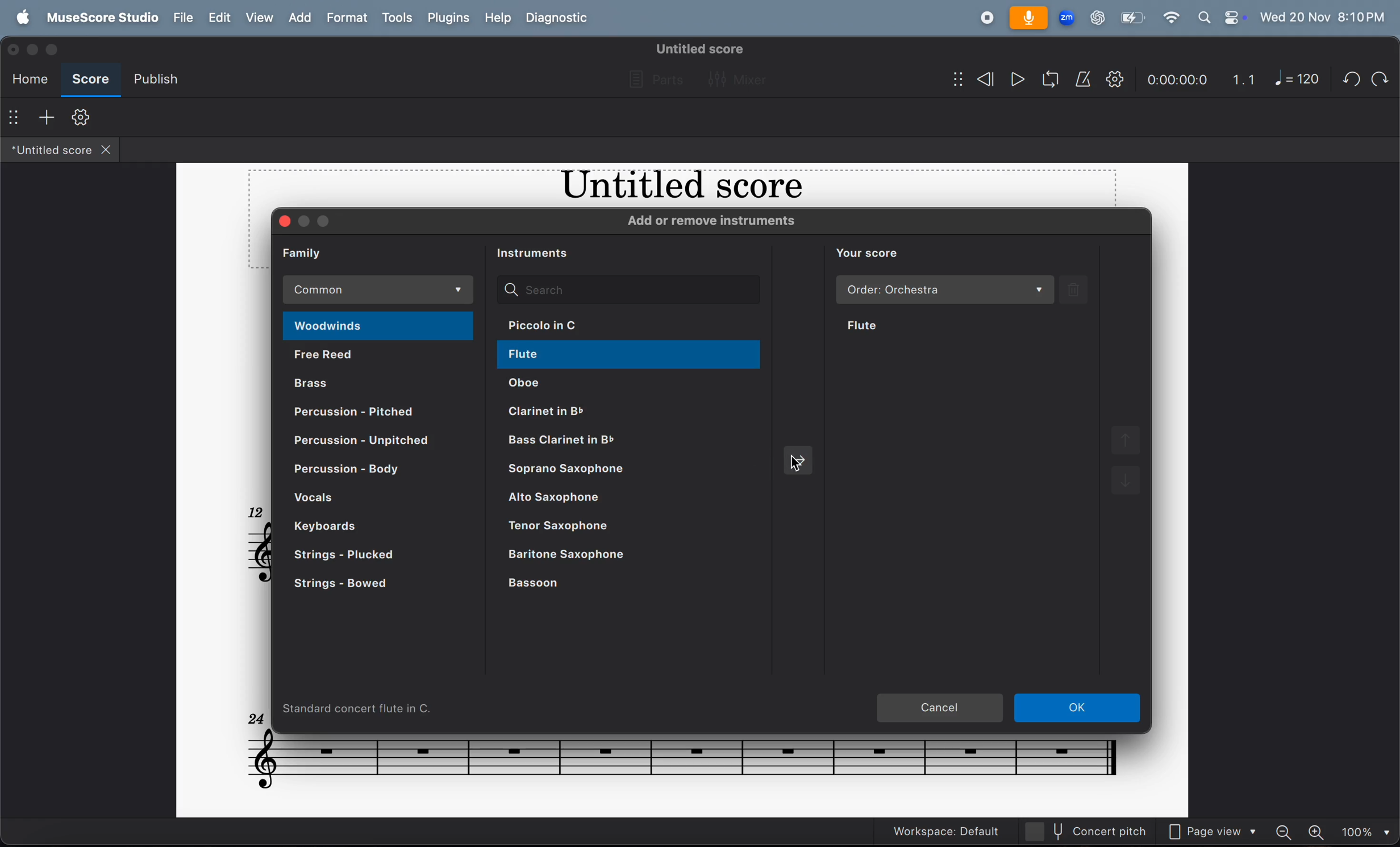  What do you see at coordinates (677, 760) in the screenshot?
I see `notes` at bounding box center [677, 760].